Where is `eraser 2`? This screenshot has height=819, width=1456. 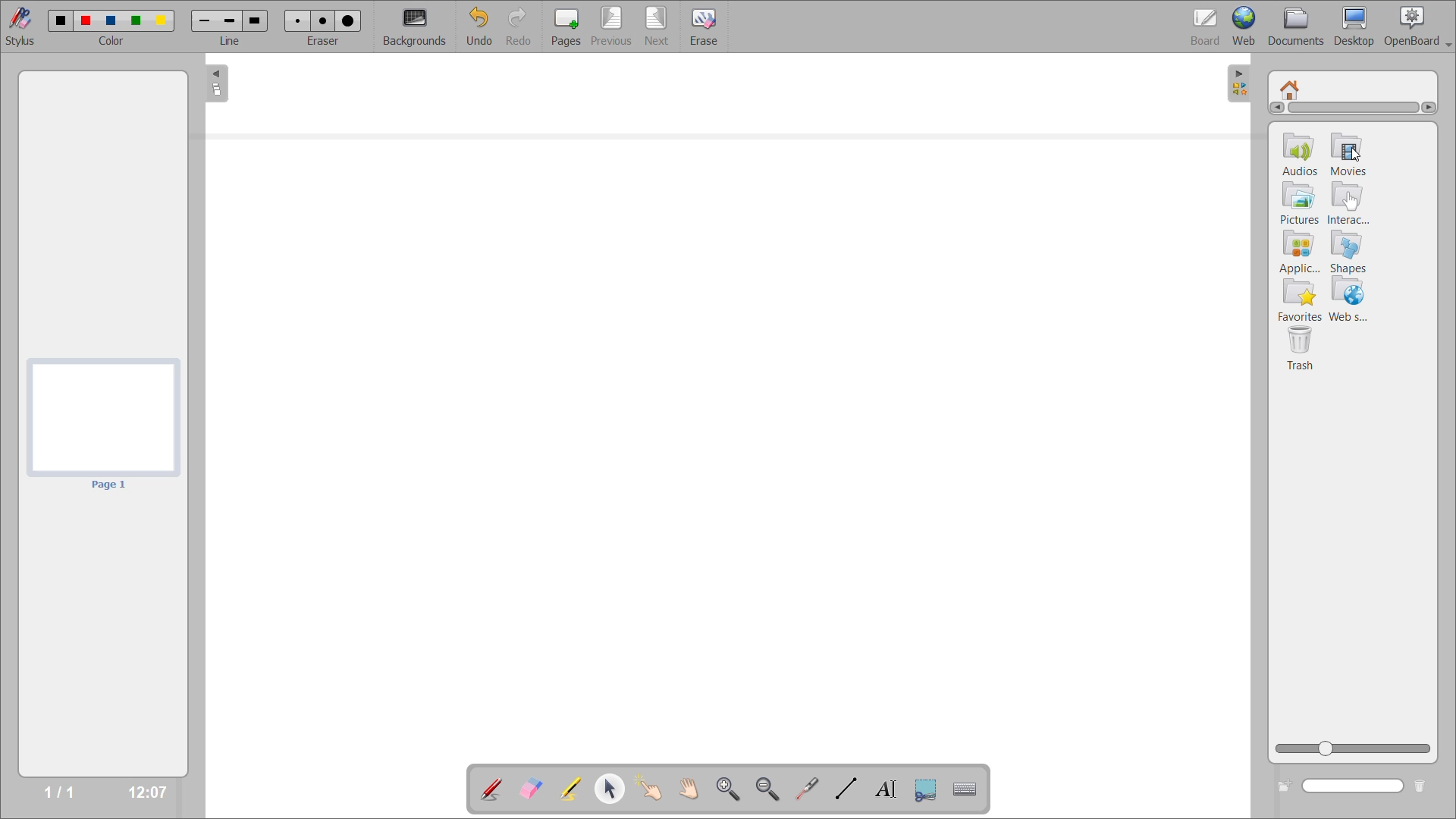 eraser 2 is located at coordinates (322, 20).